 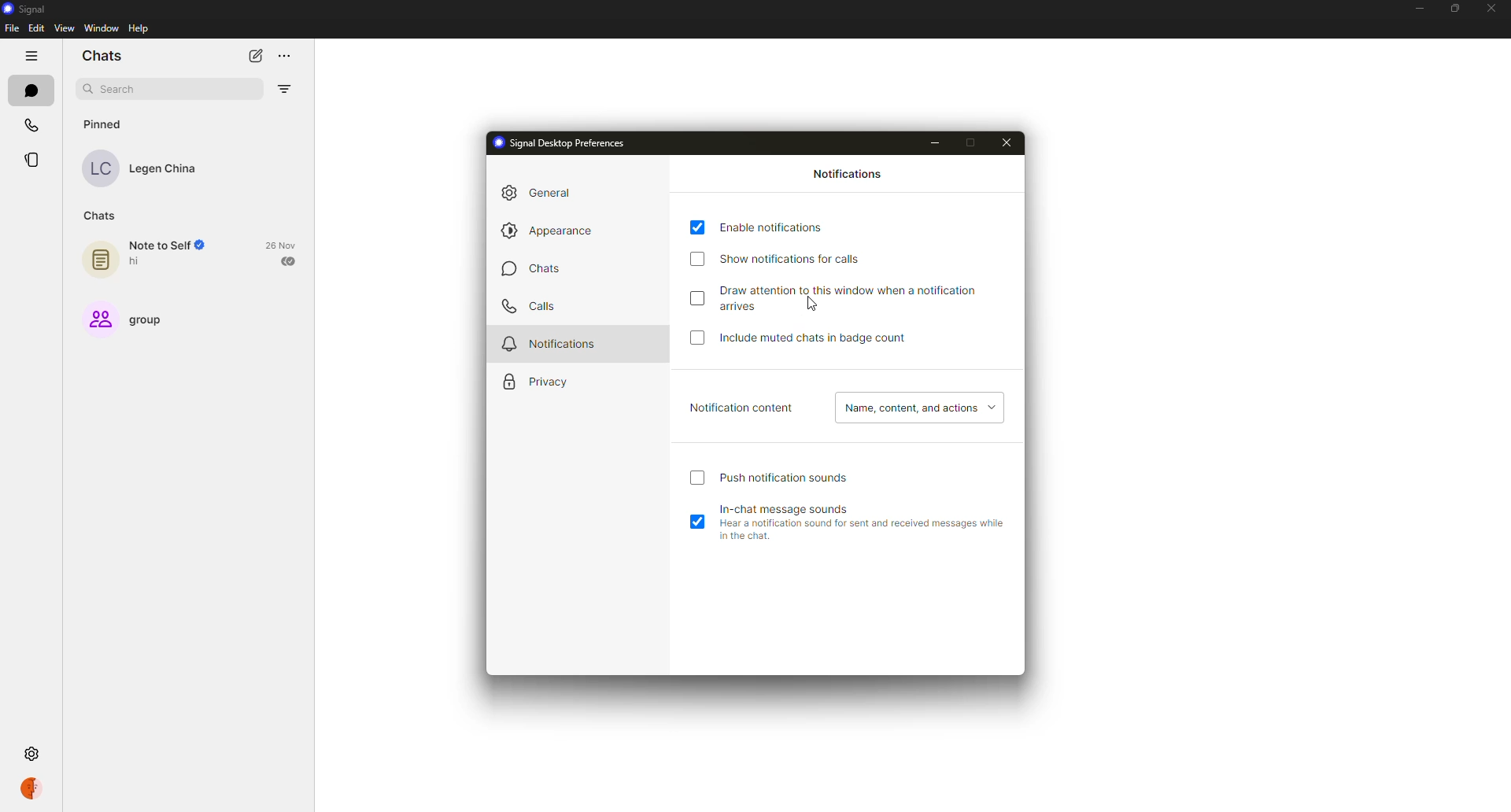 I want to click on edit, so click(x=38, y=28).